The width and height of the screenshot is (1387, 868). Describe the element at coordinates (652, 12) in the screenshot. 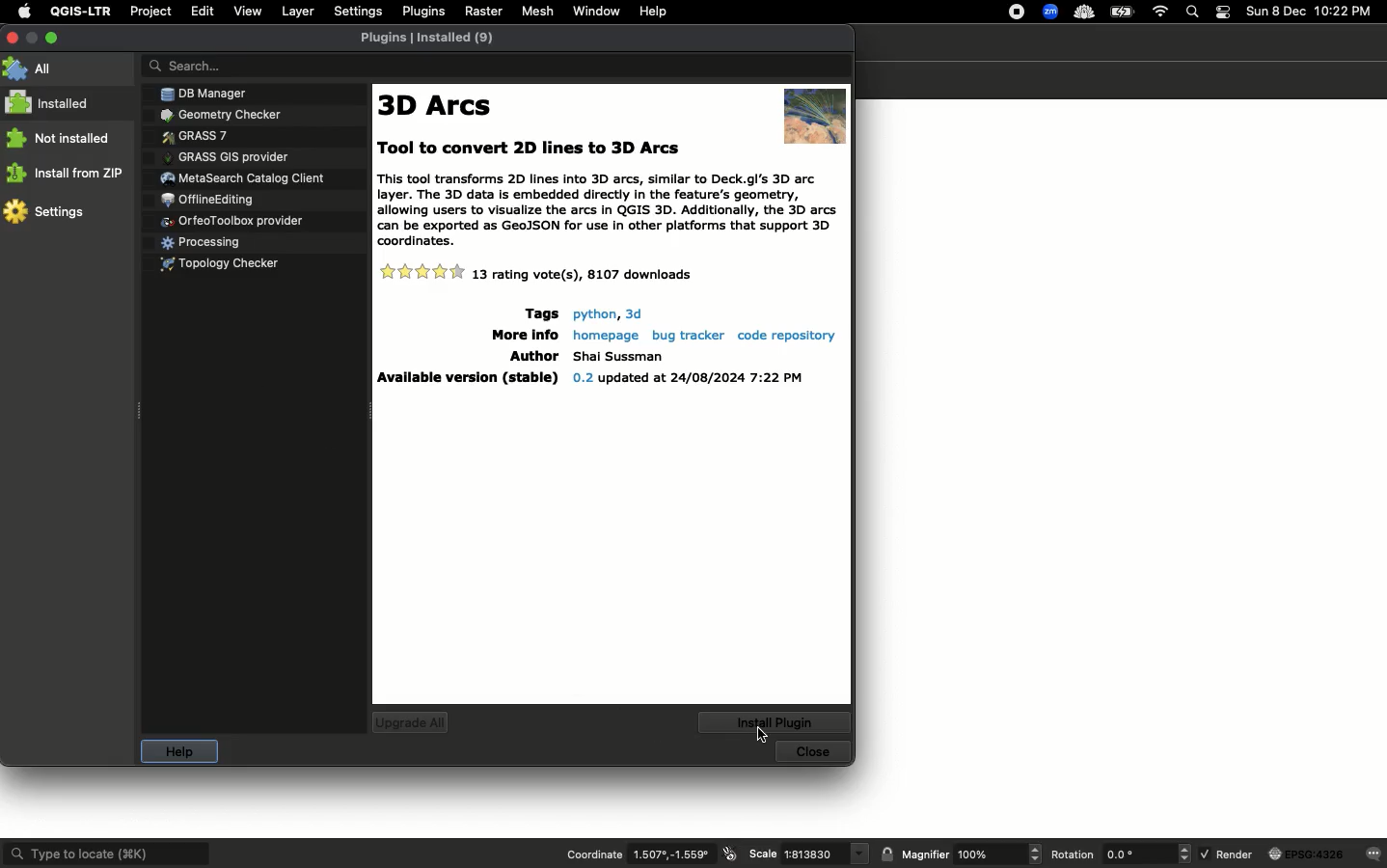

I see `Help` at that location.